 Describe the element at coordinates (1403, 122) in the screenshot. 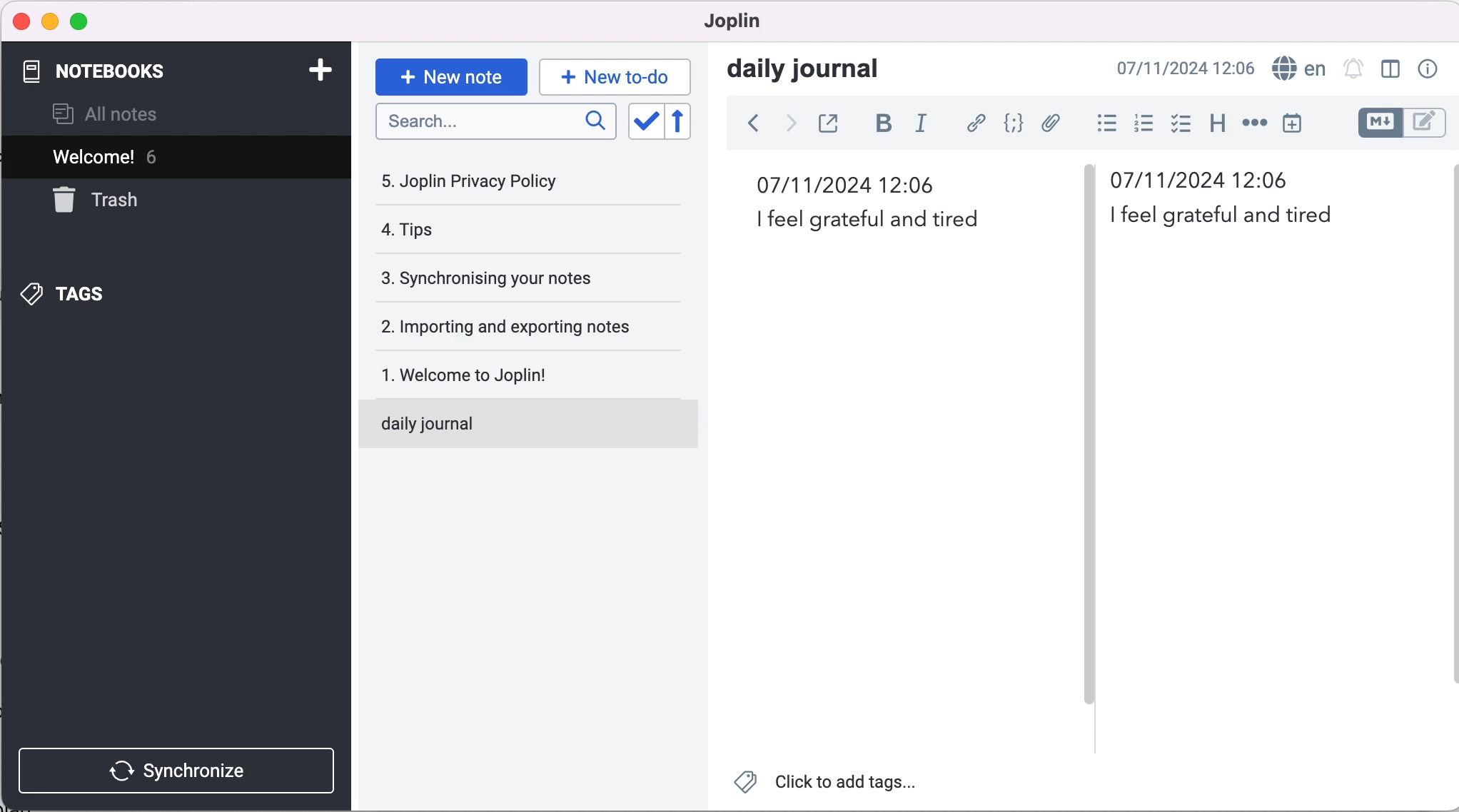

I see `toggle editor` at that location.